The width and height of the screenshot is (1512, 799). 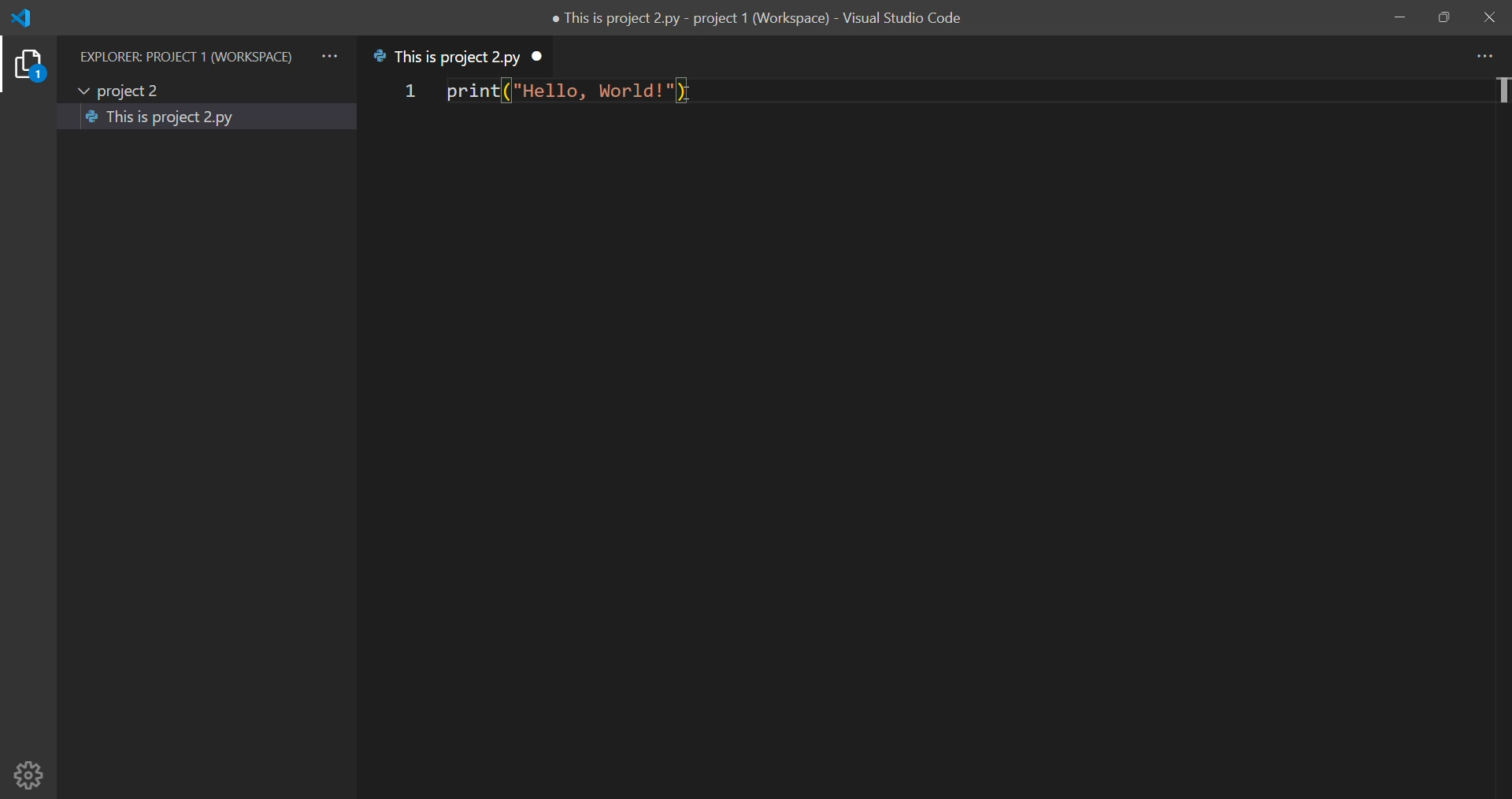 What do you see at coordinates (30, 18) in the screenshot?
I see `VSCode logo` at bounding box center [30, 18].